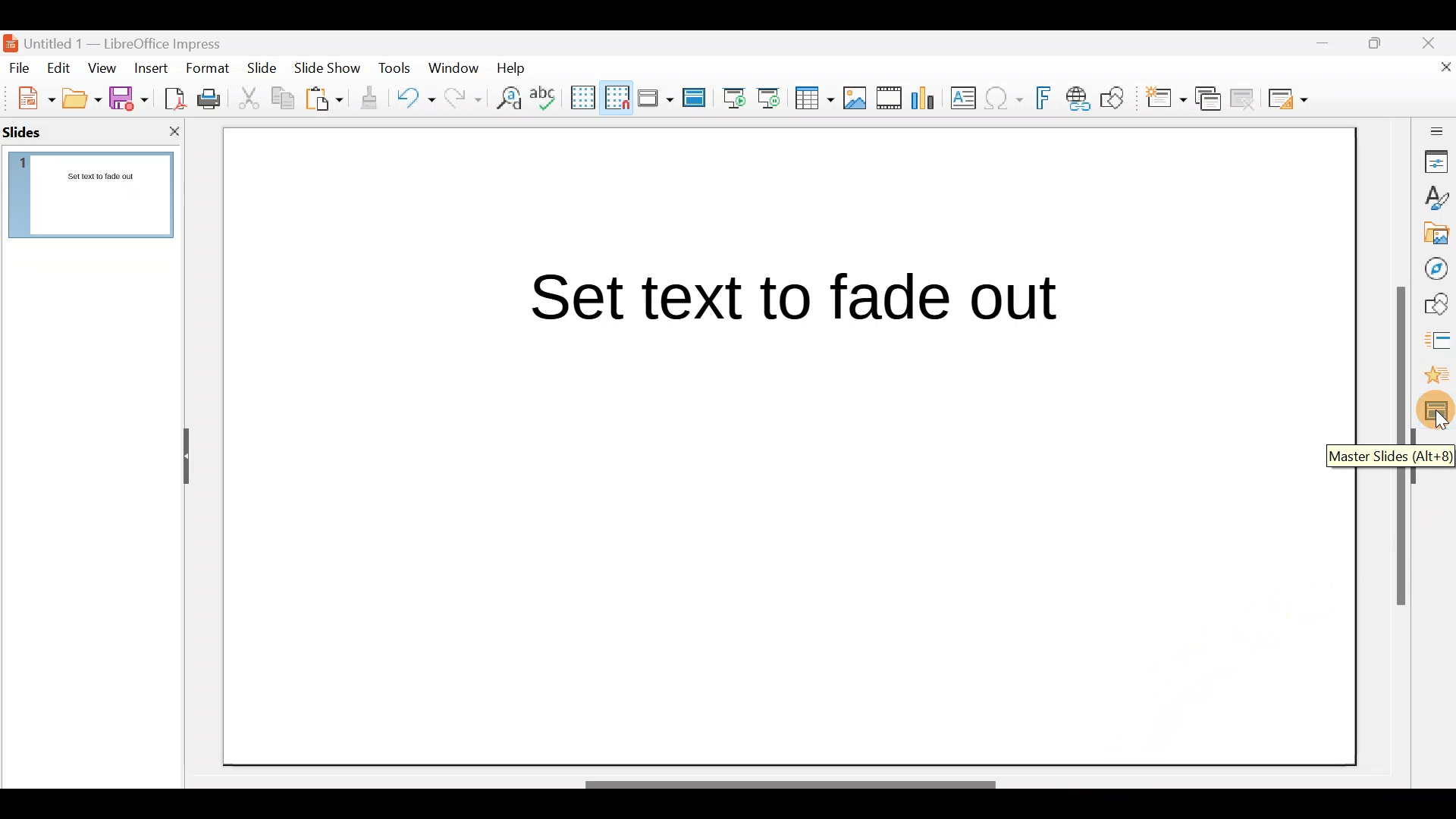 Image resolution: width=1456 pixels, height=819 pixels. Describe the element at coordinates (1438, 306) in the screenshot. I see `Shapes` at that location.